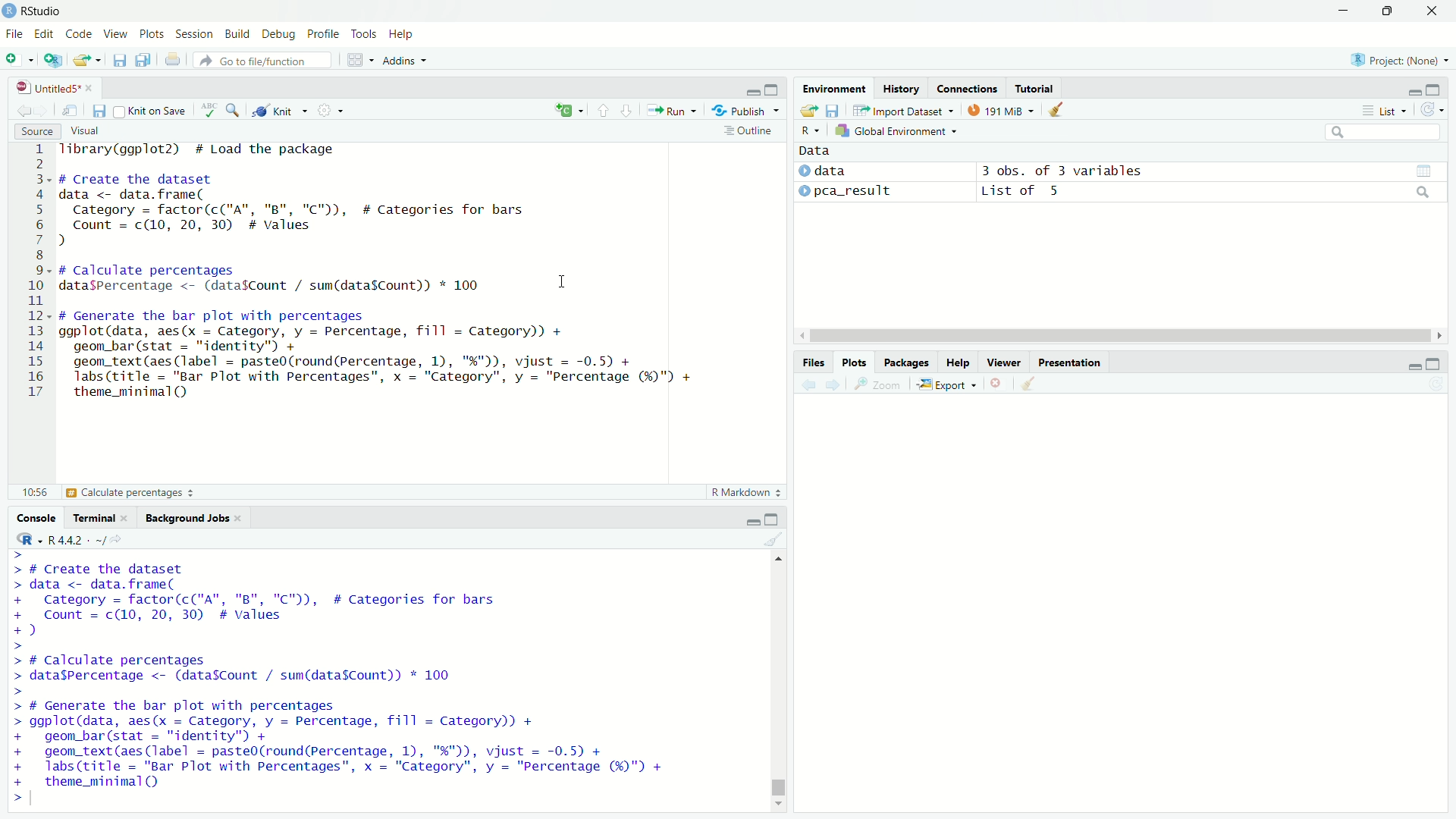 This screenshot has height=819, width=1456. I want to click on file name: untitled5, so click(55, 88).